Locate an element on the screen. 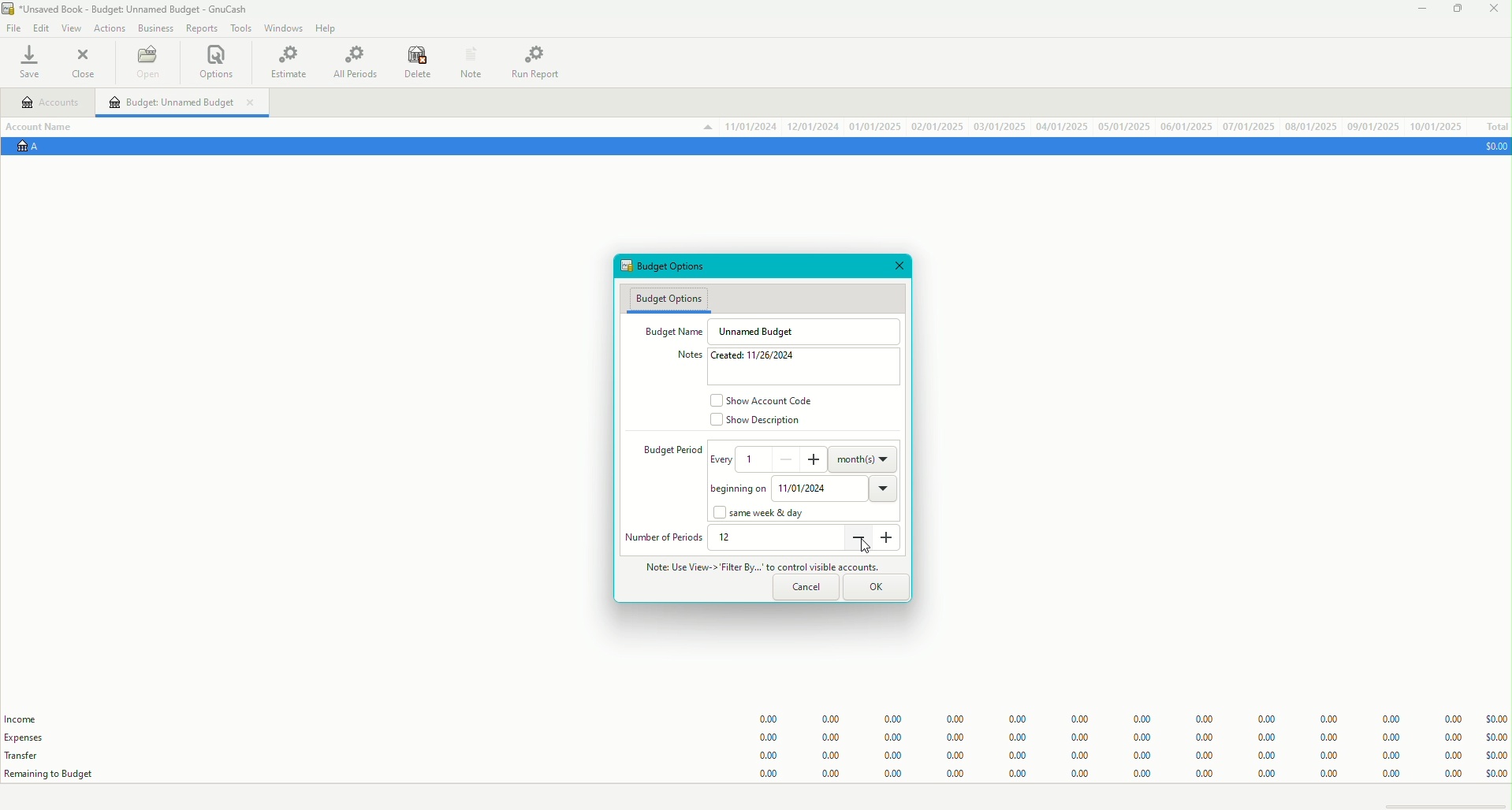  Transfer is located at coordinates (31, 755).